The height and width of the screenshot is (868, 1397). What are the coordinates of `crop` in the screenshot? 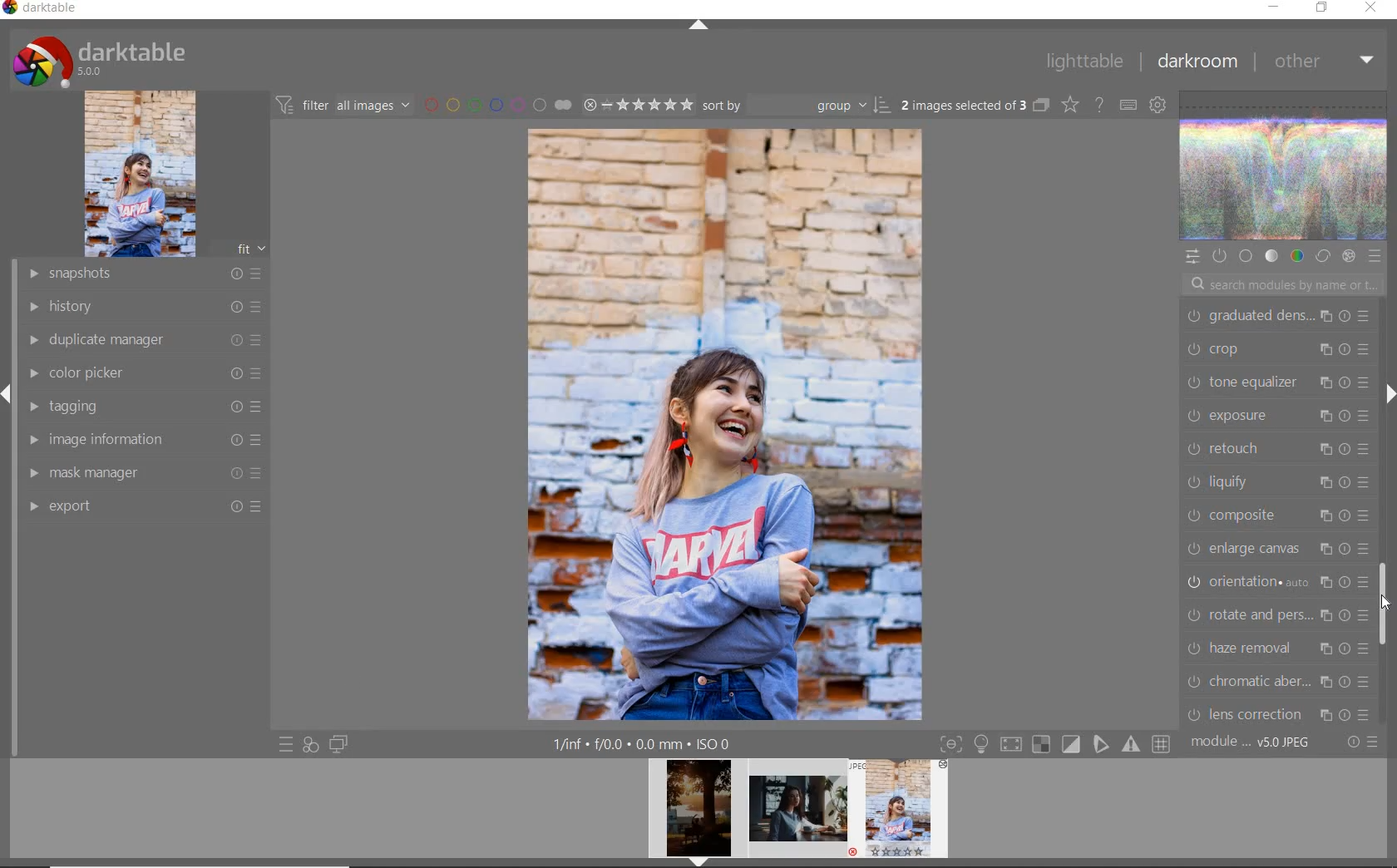 It's located at (1278, 353).